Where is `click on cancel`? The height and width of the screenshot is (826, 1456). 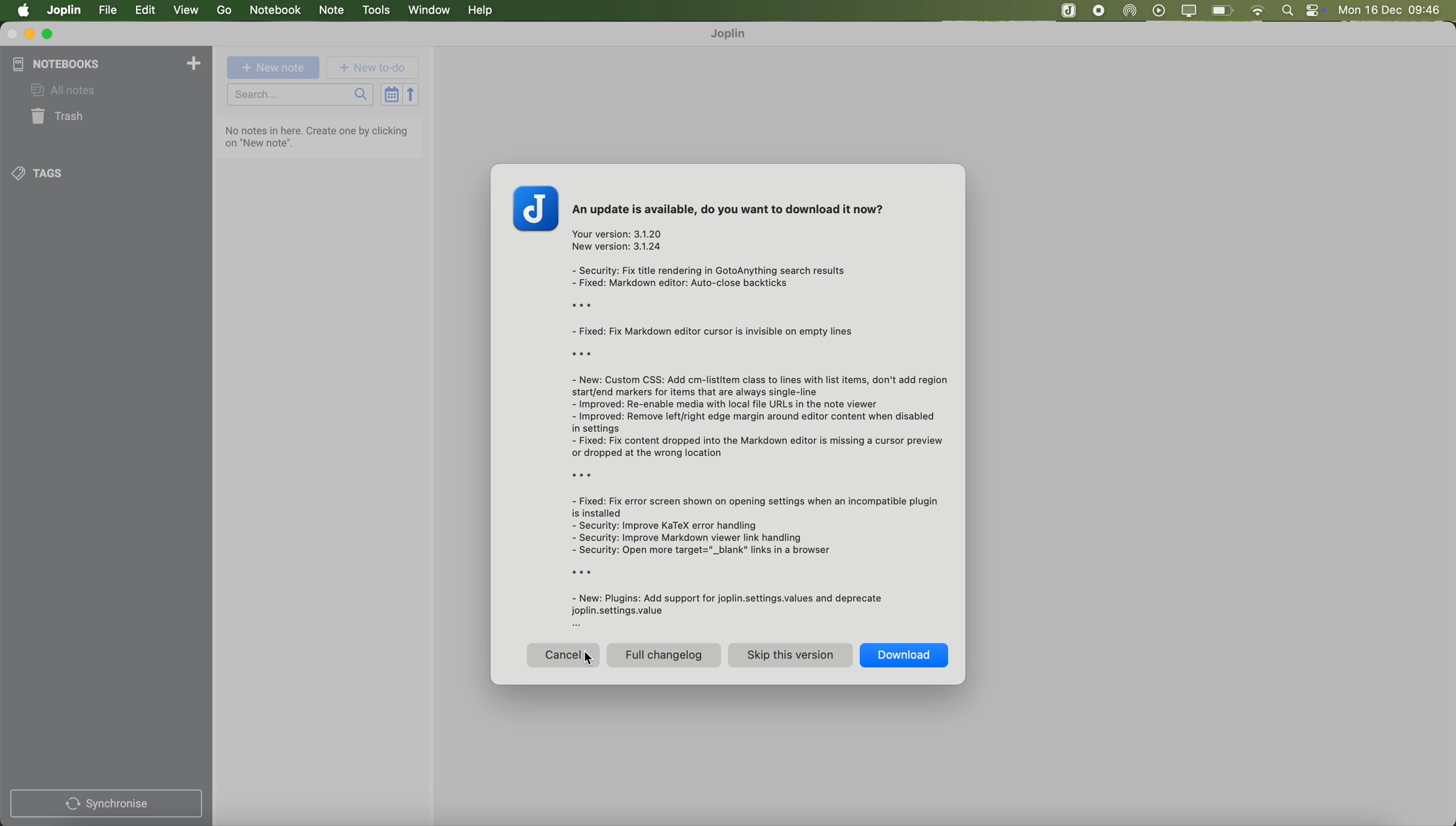 click on cancel is located at coordinates (565, 658).